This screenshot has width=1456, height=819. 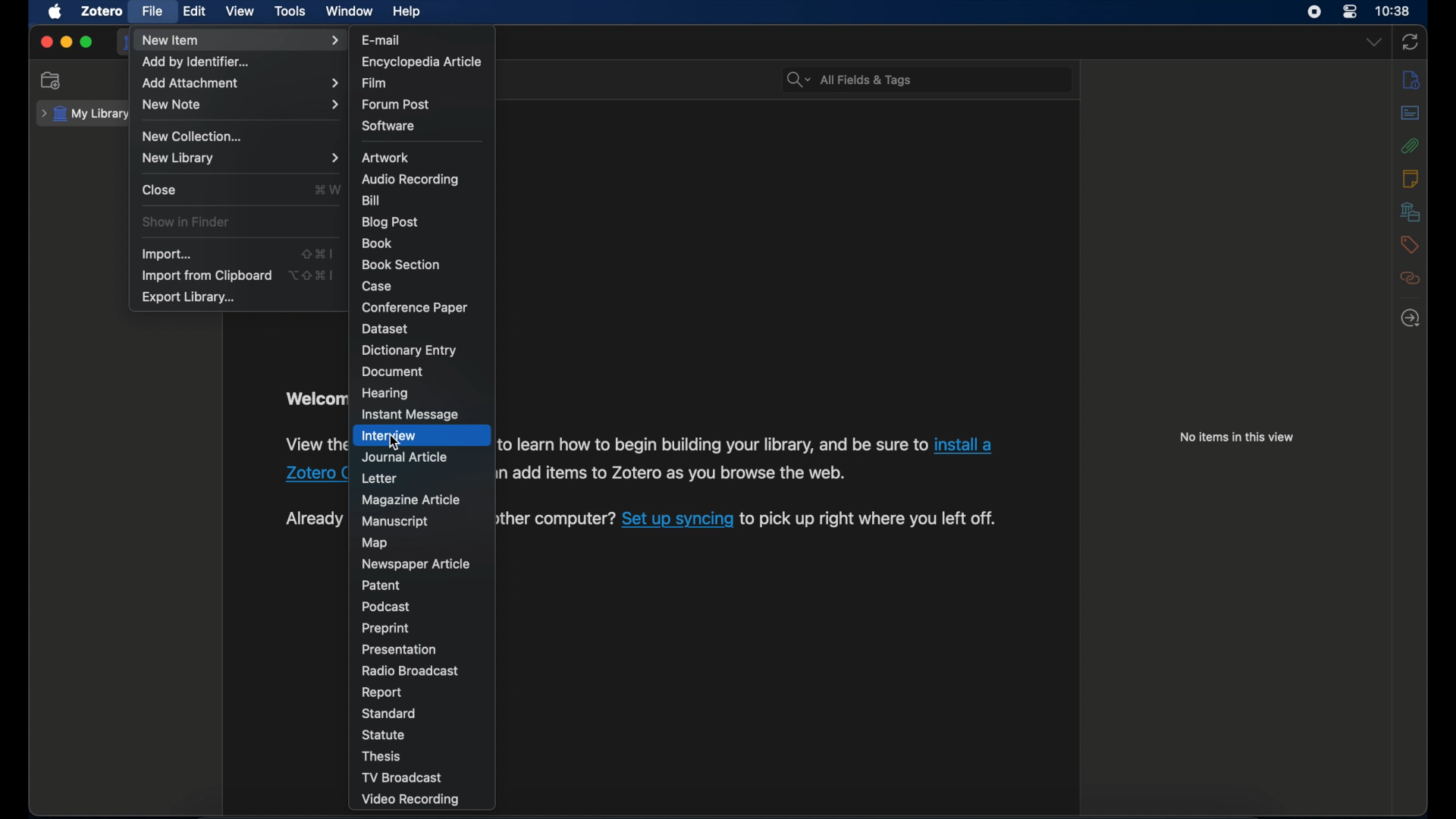 I want to click on podcast, so click(x=386, y=607).